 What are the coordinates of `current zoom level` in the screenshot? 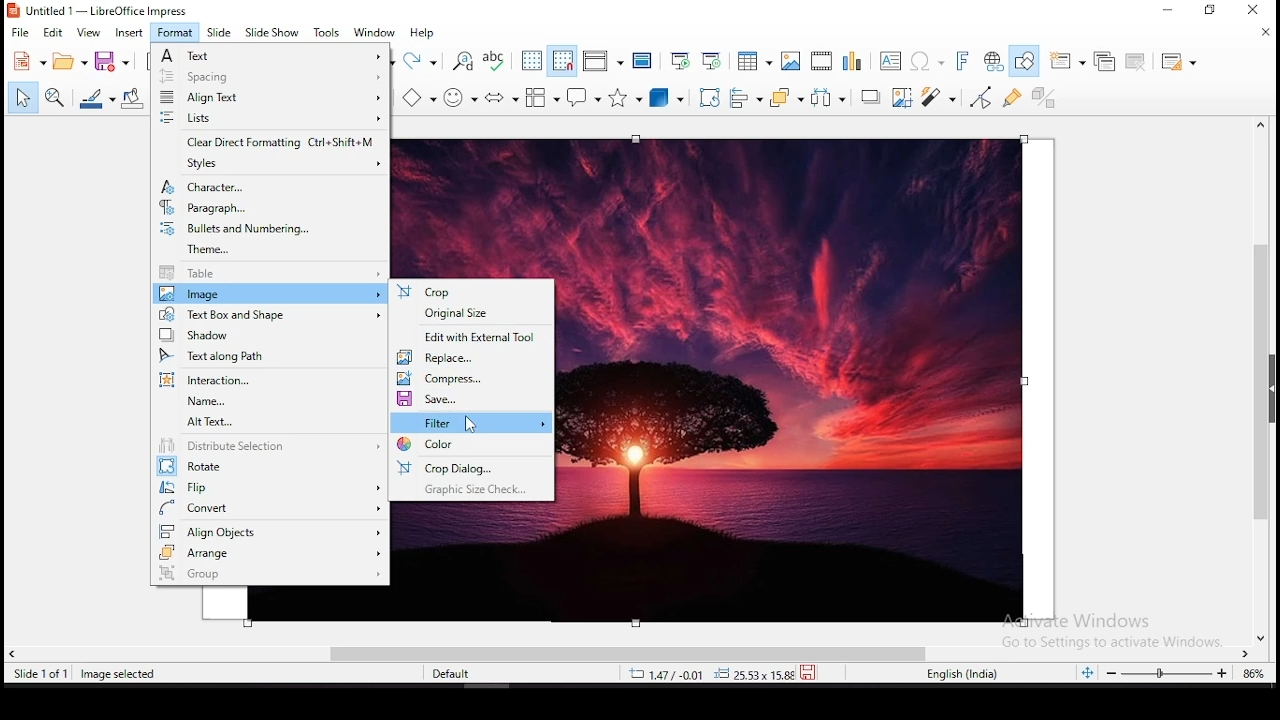 It's located at (1251, 676).